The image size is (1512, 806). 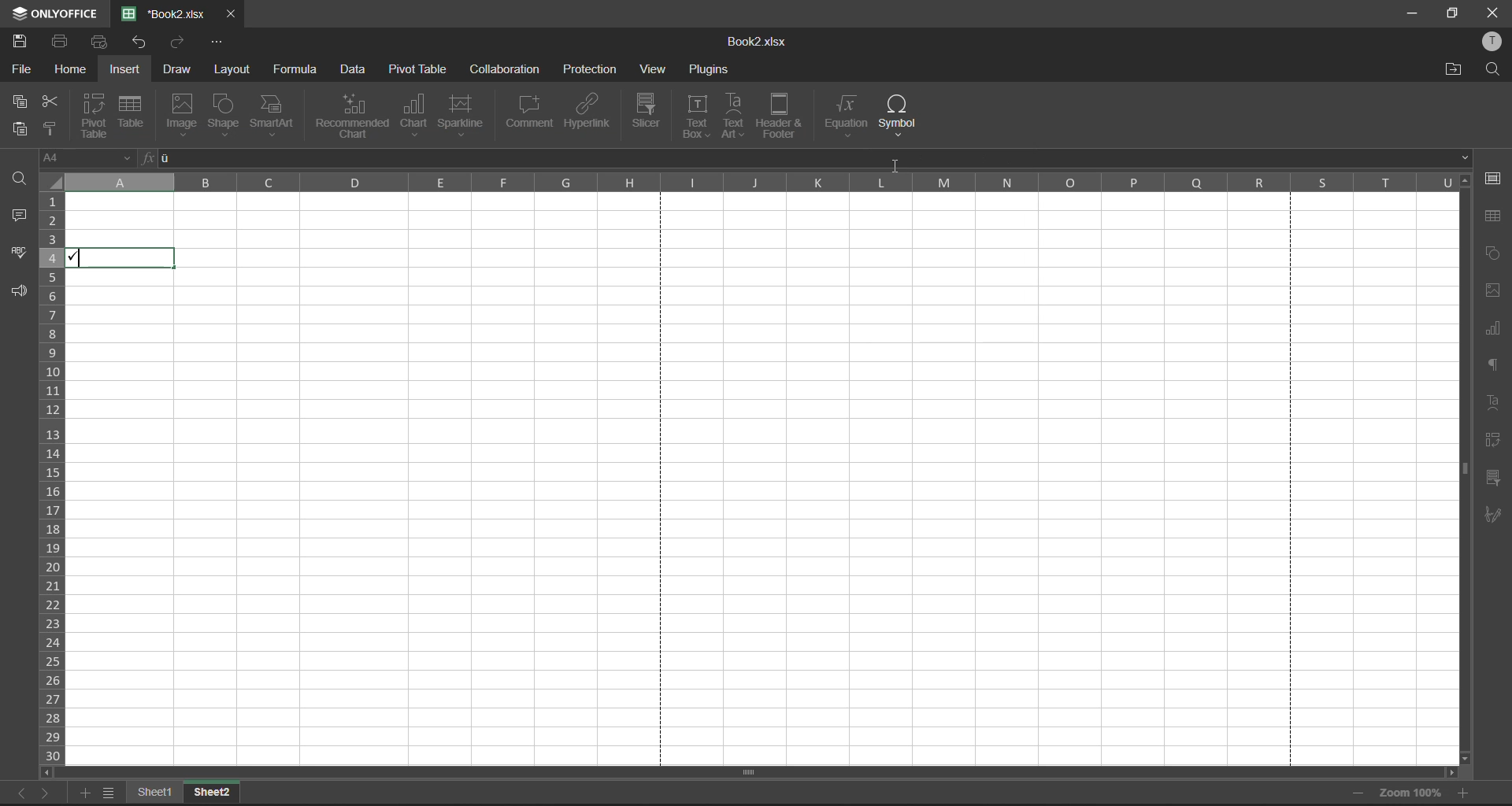 I want to click on protection, so click(x=591, y=68).